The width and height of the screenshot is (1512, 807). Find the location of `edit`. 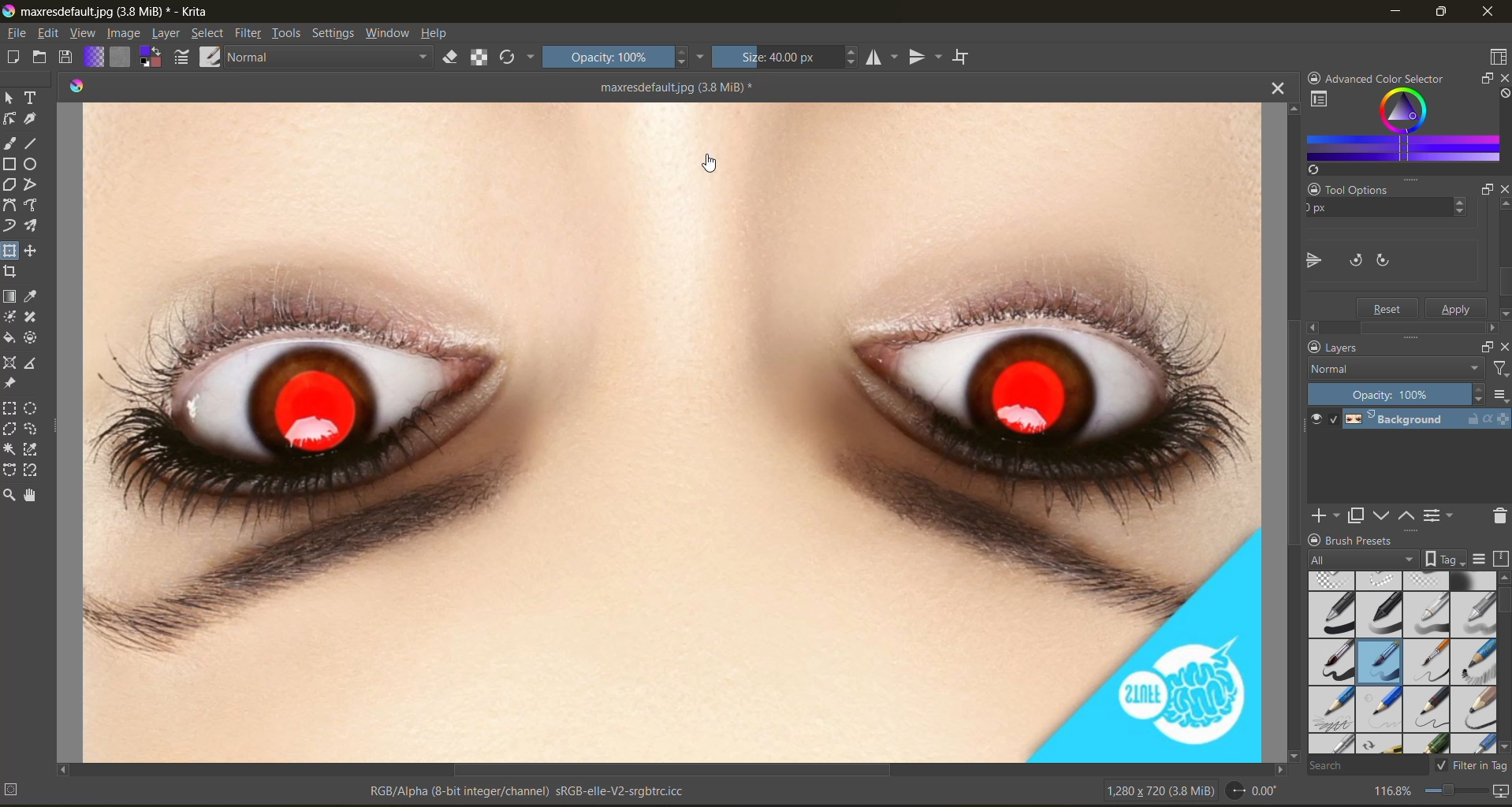

edit is located at coordinates (48, 33).